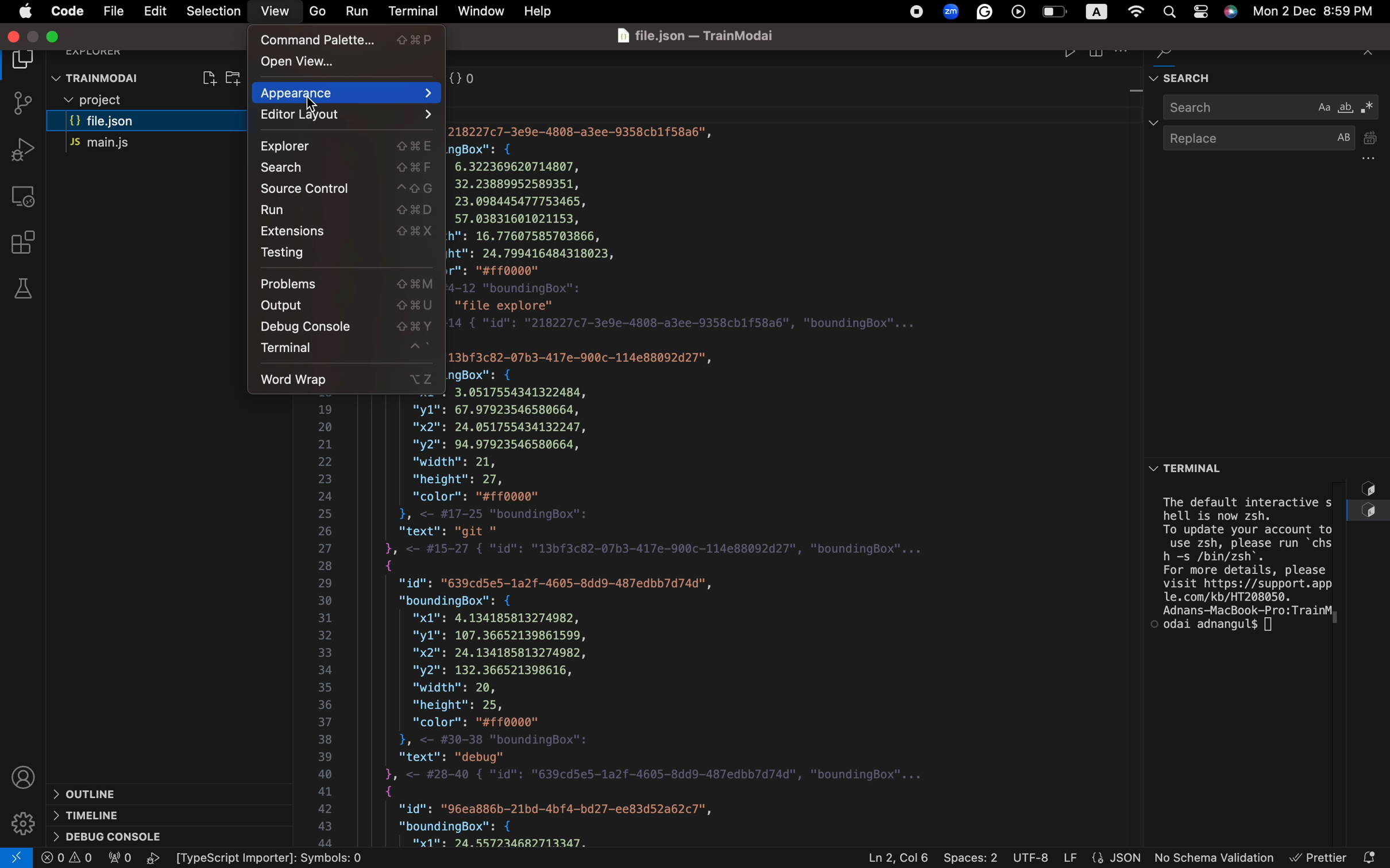 This screenshot has width=1390, height=868. Describe the element at coordinates (240, 78) in the screenshot. I see `create folder` at that location.